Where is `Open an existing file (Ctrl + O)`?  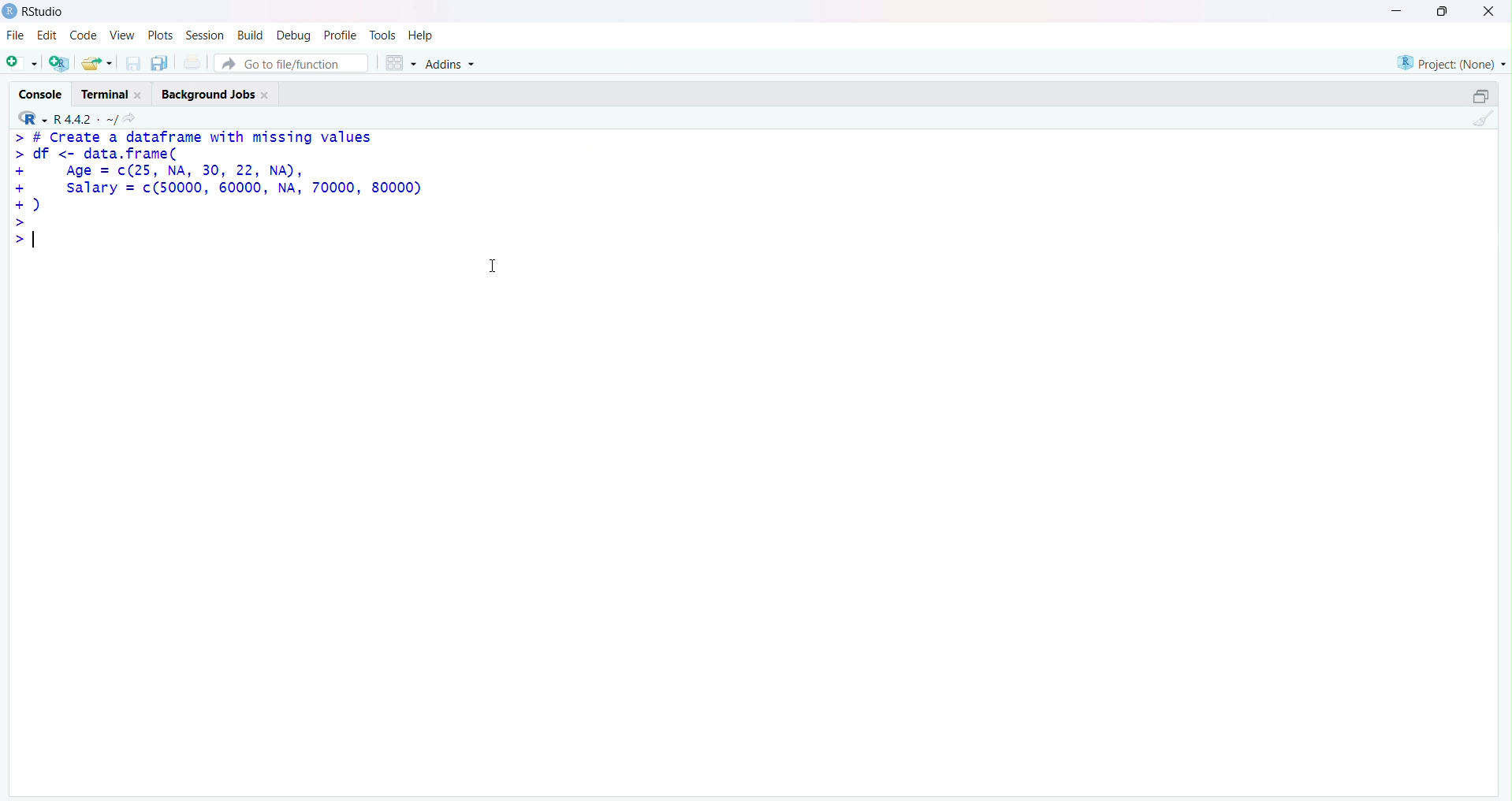 Open an existing file (Ctrl + O) is located at coordinates (97, 62).